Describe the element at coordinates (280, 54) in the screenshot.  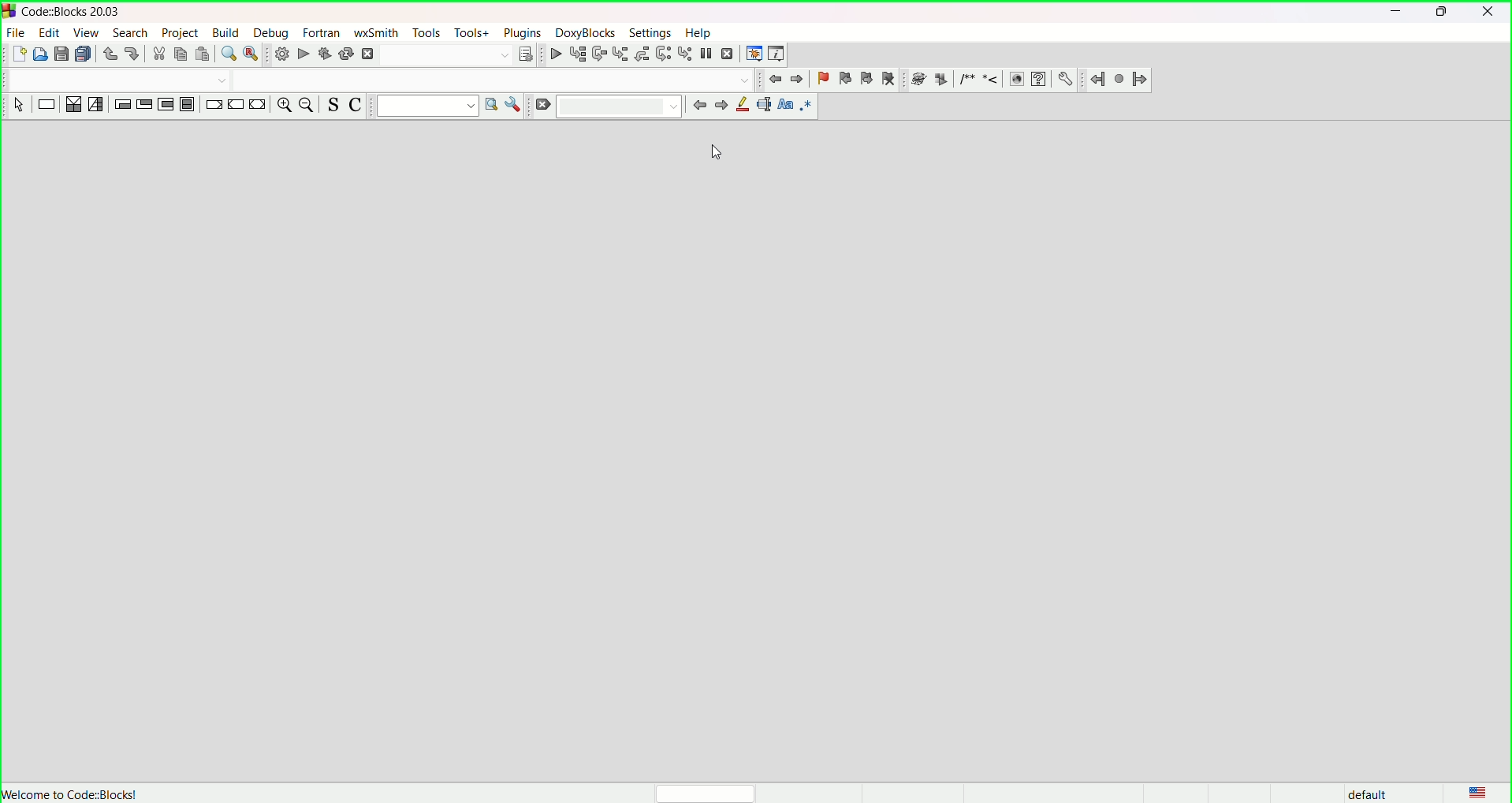
I see `build` at that location.